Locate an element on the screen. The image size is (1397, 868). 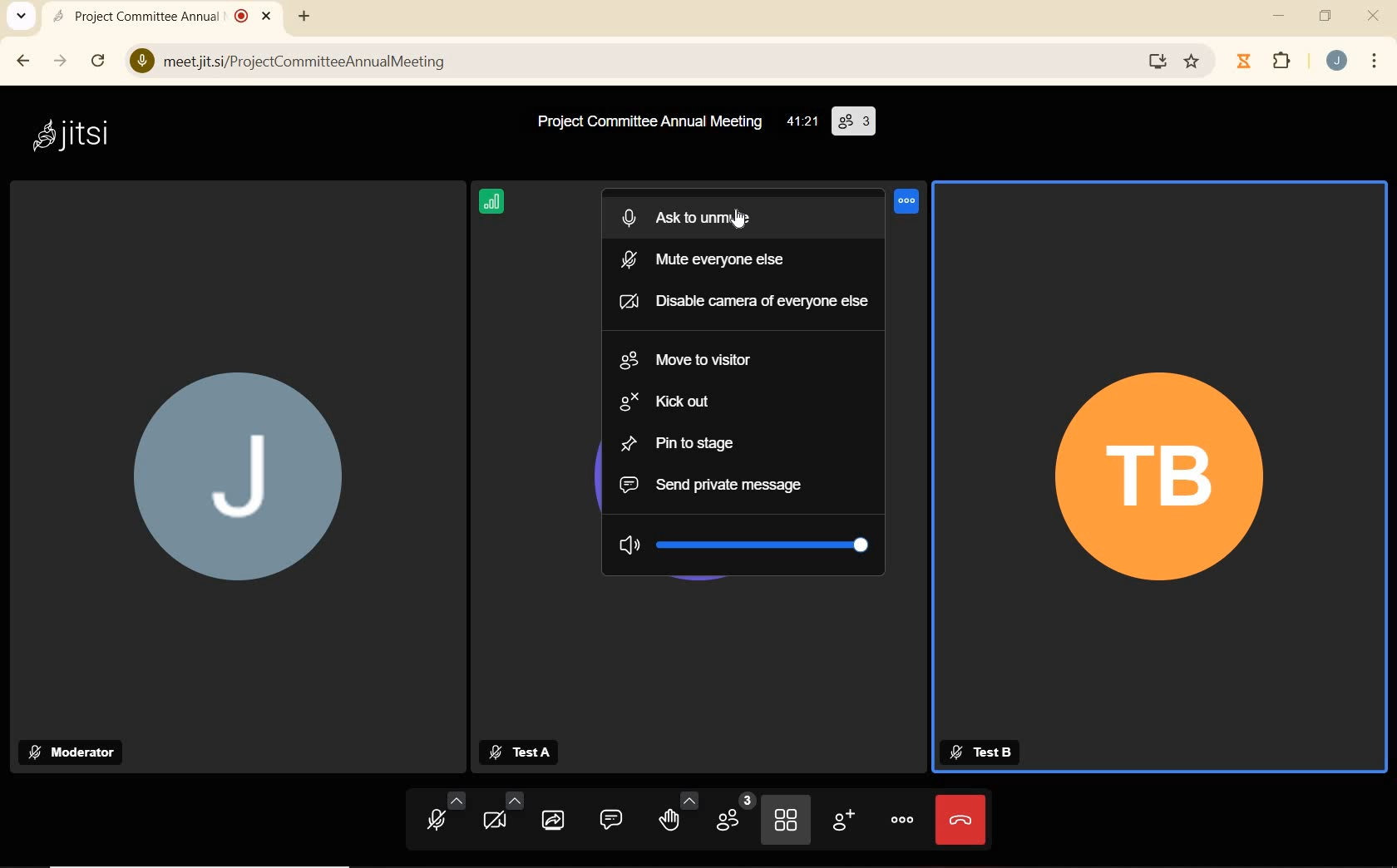
Project Committee Annual is located at coordinates (152, 16).